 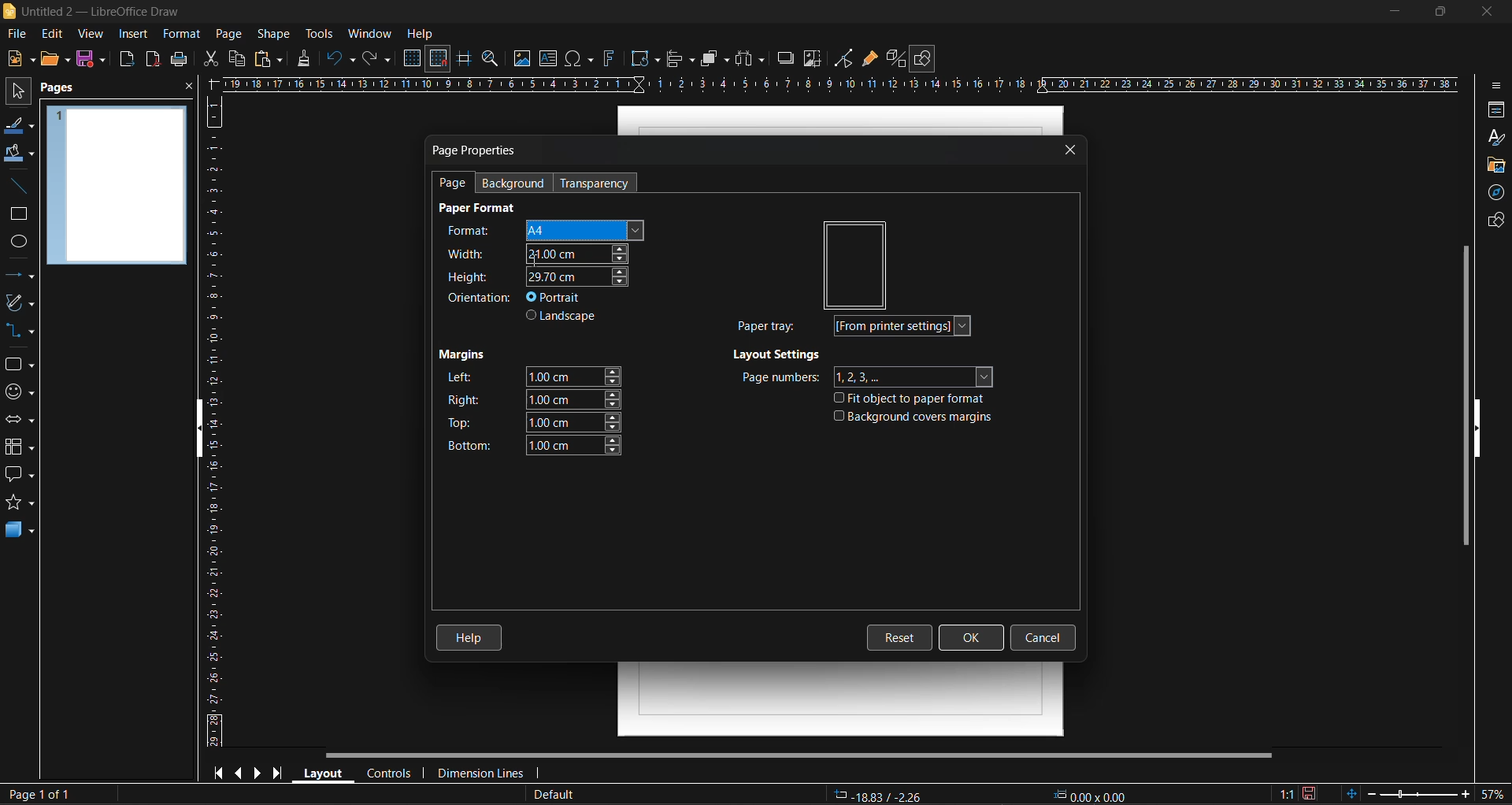 I want to click on export directly as pdf, so click(x=152, y=59).